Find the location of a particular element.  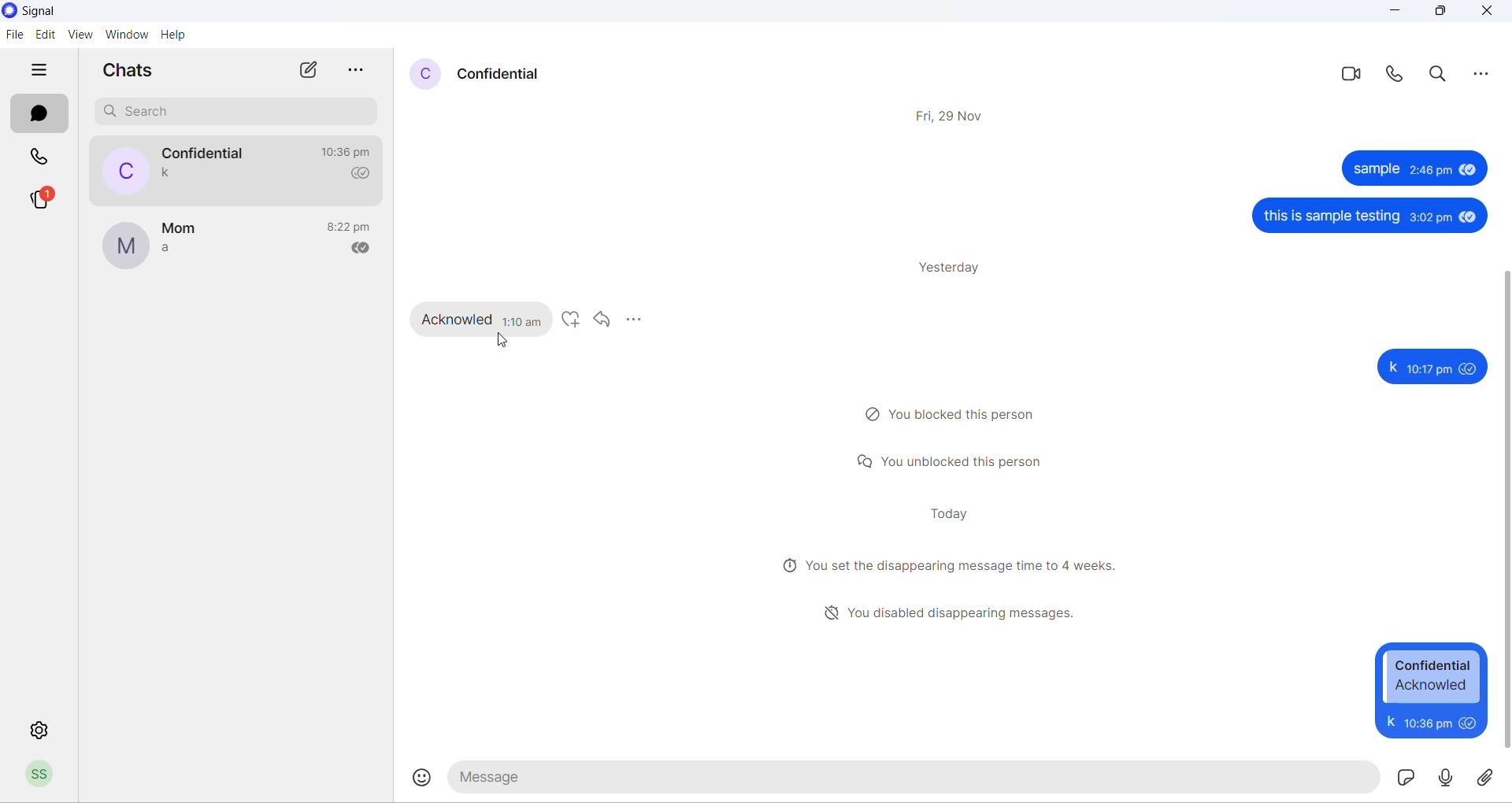

read recipient is located at coordinates (362, 246).